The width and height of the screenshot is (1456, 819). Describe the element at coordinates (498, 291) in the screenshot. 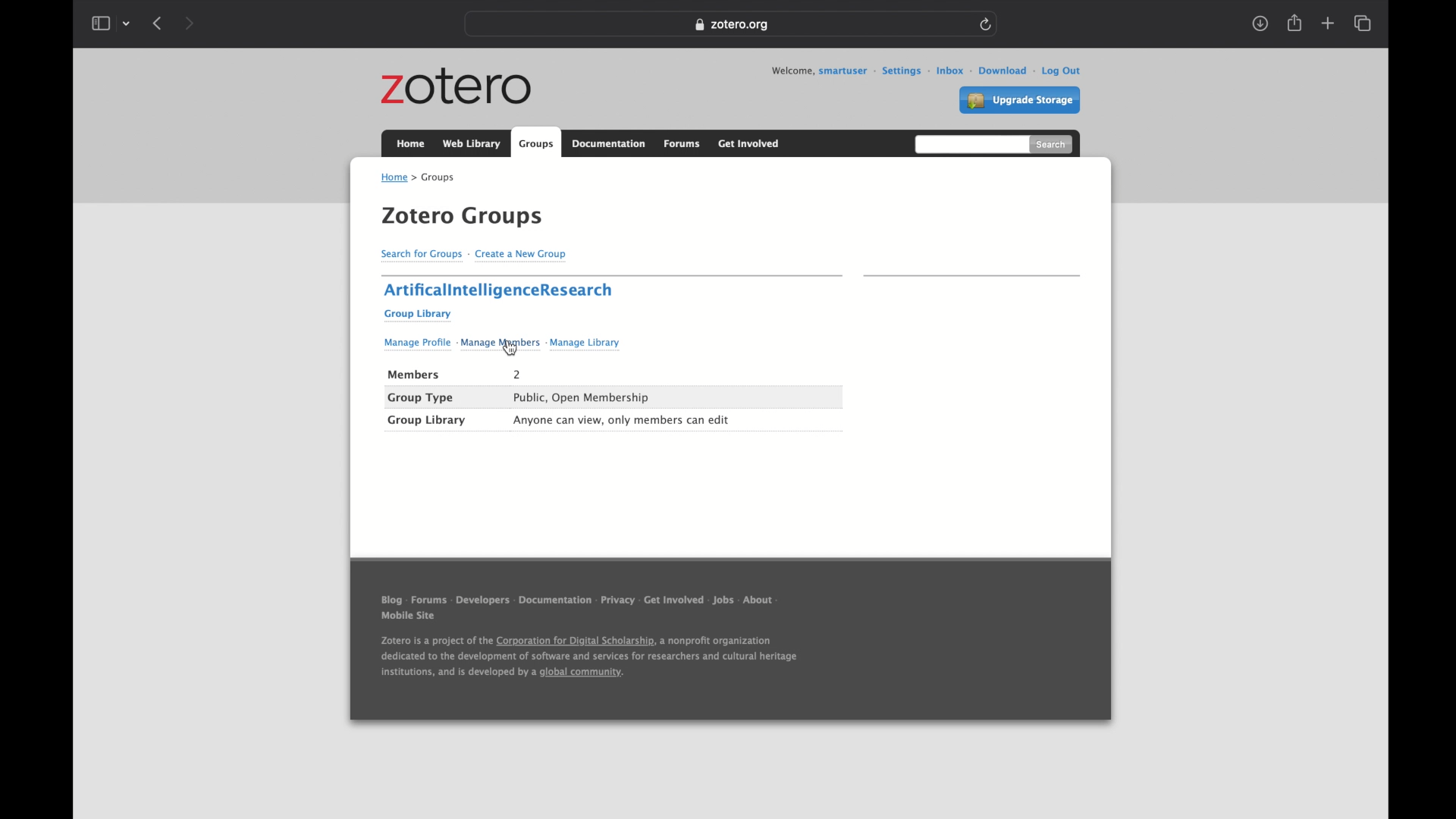

I see `artificialintelligenceresearch` at that location.